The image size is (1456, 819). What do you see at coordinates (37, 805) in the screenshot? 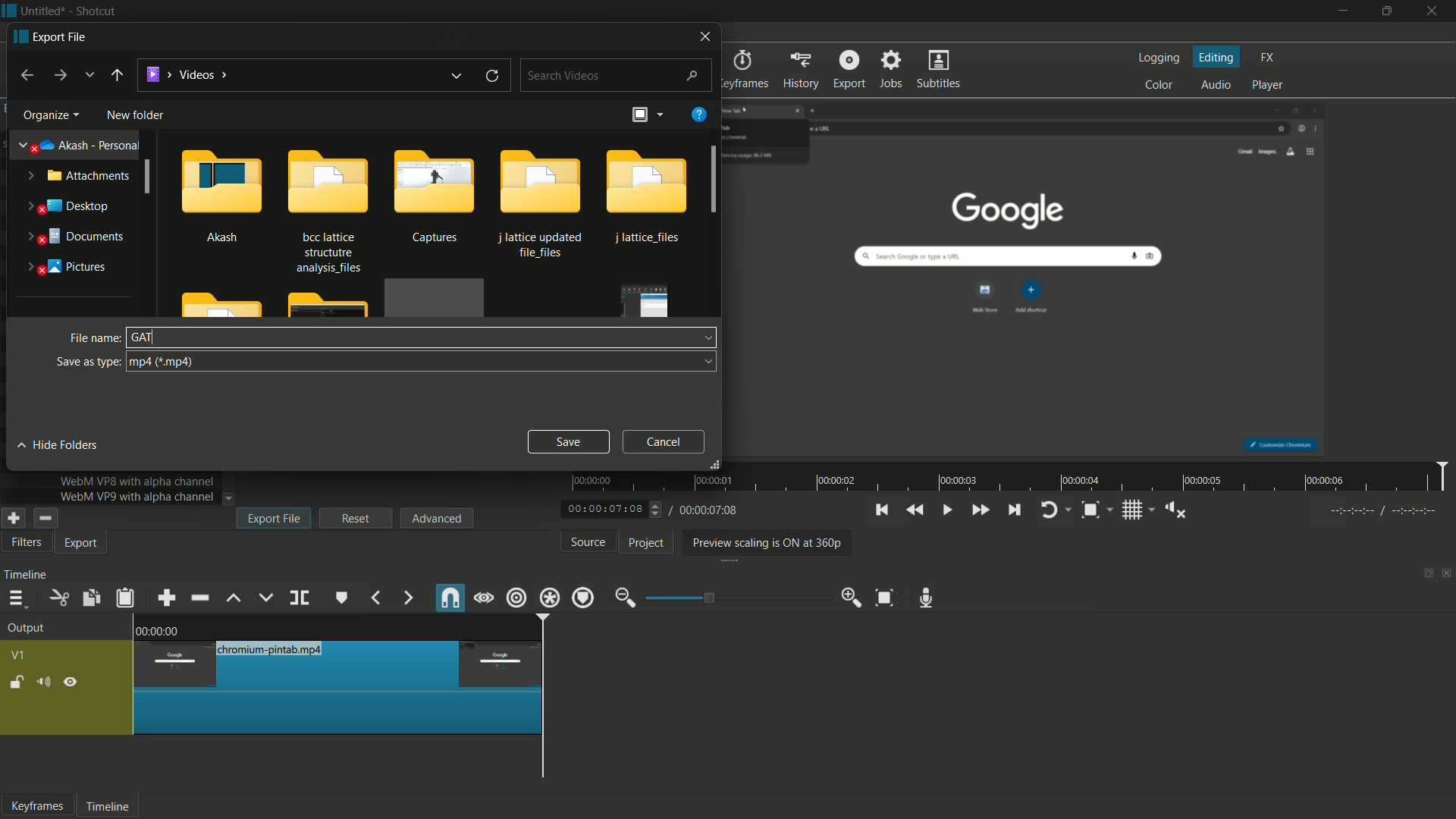
I see `keyframes` at bounding box center [37, 805].